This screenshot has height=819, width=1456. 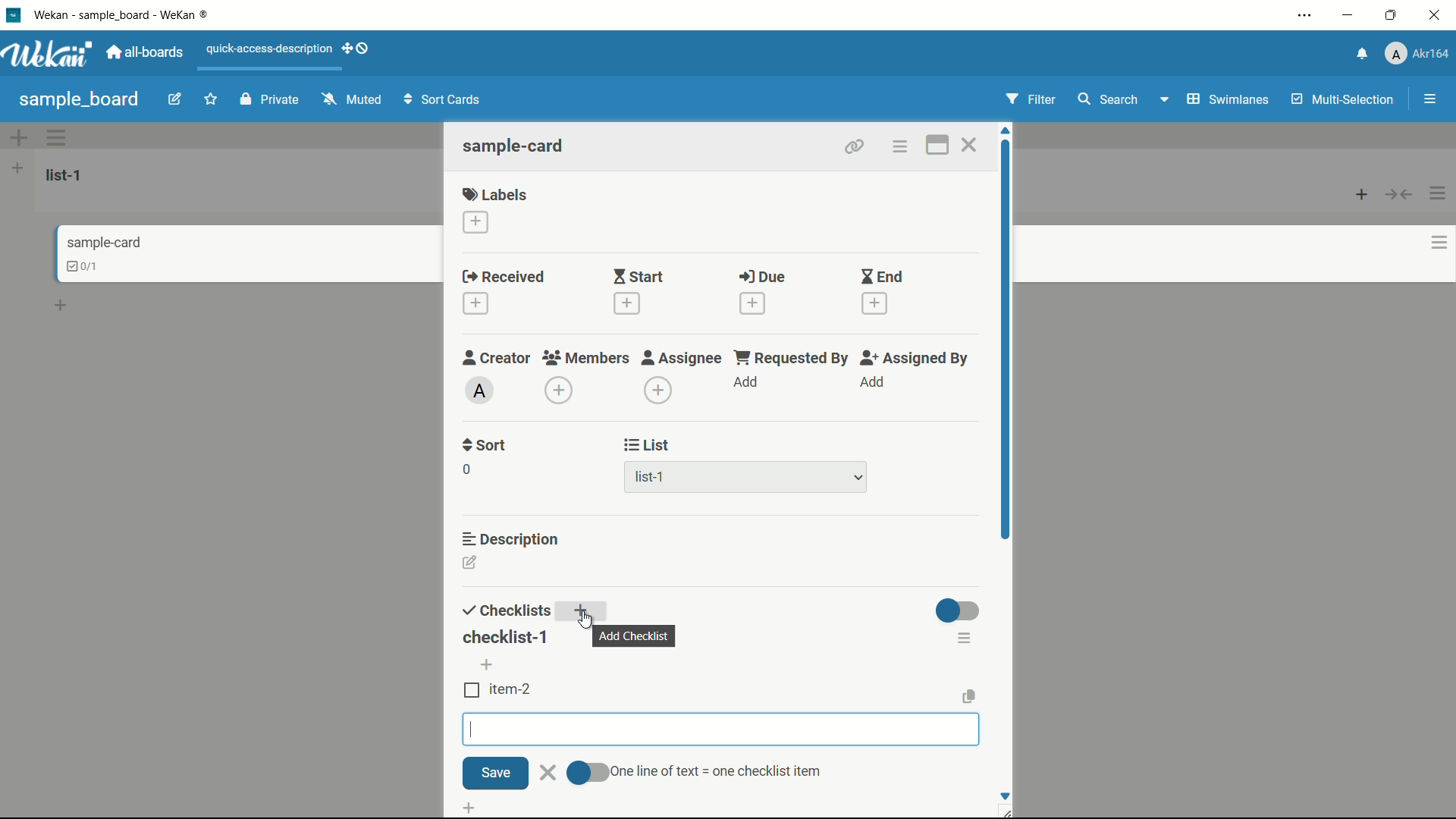 I want to click on scroll down, so click(x=1004, y=795).